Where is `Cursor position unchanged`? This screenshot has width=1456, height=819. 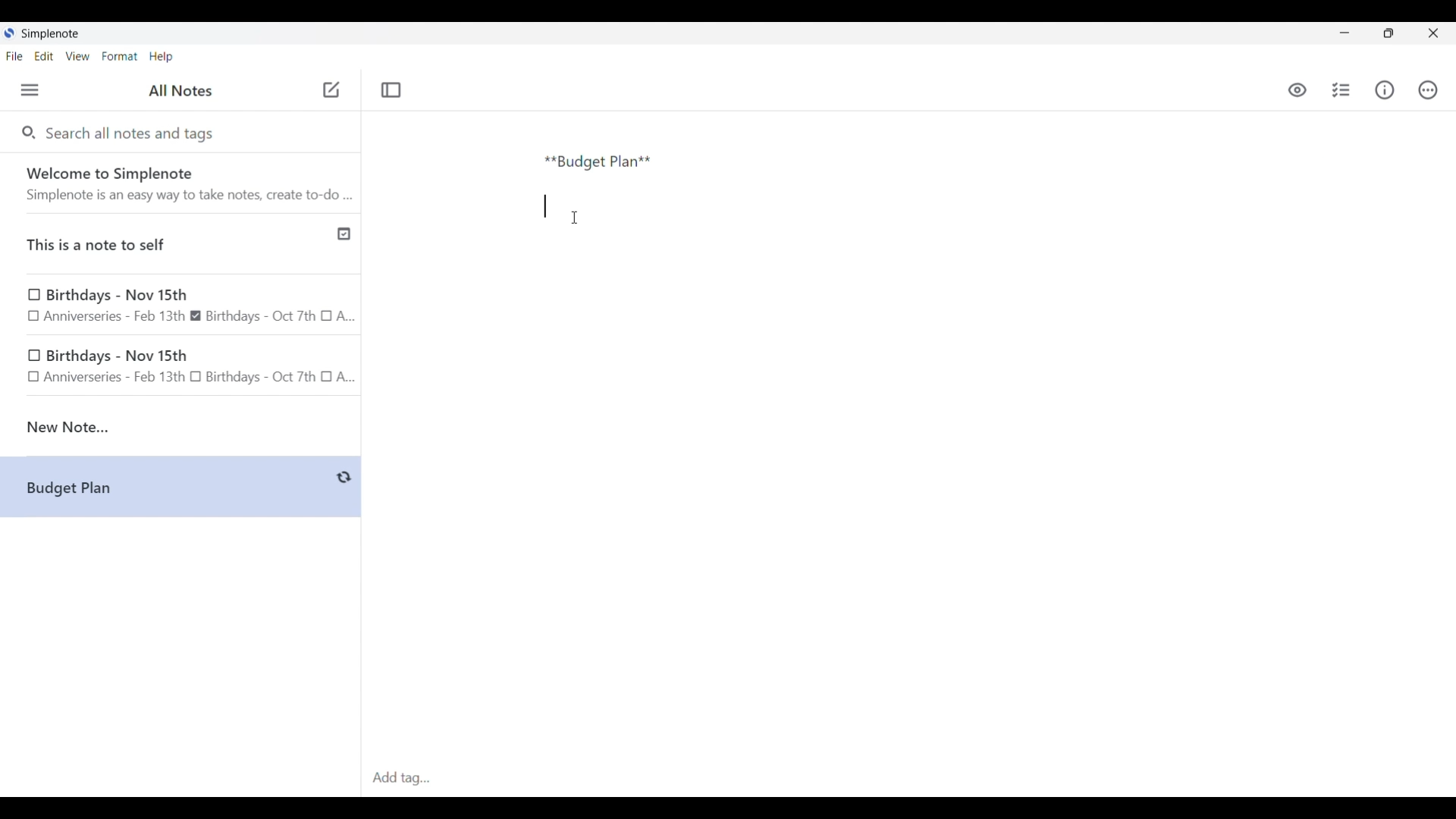
Cursor position unchanged is located at coordinates (575, 218).